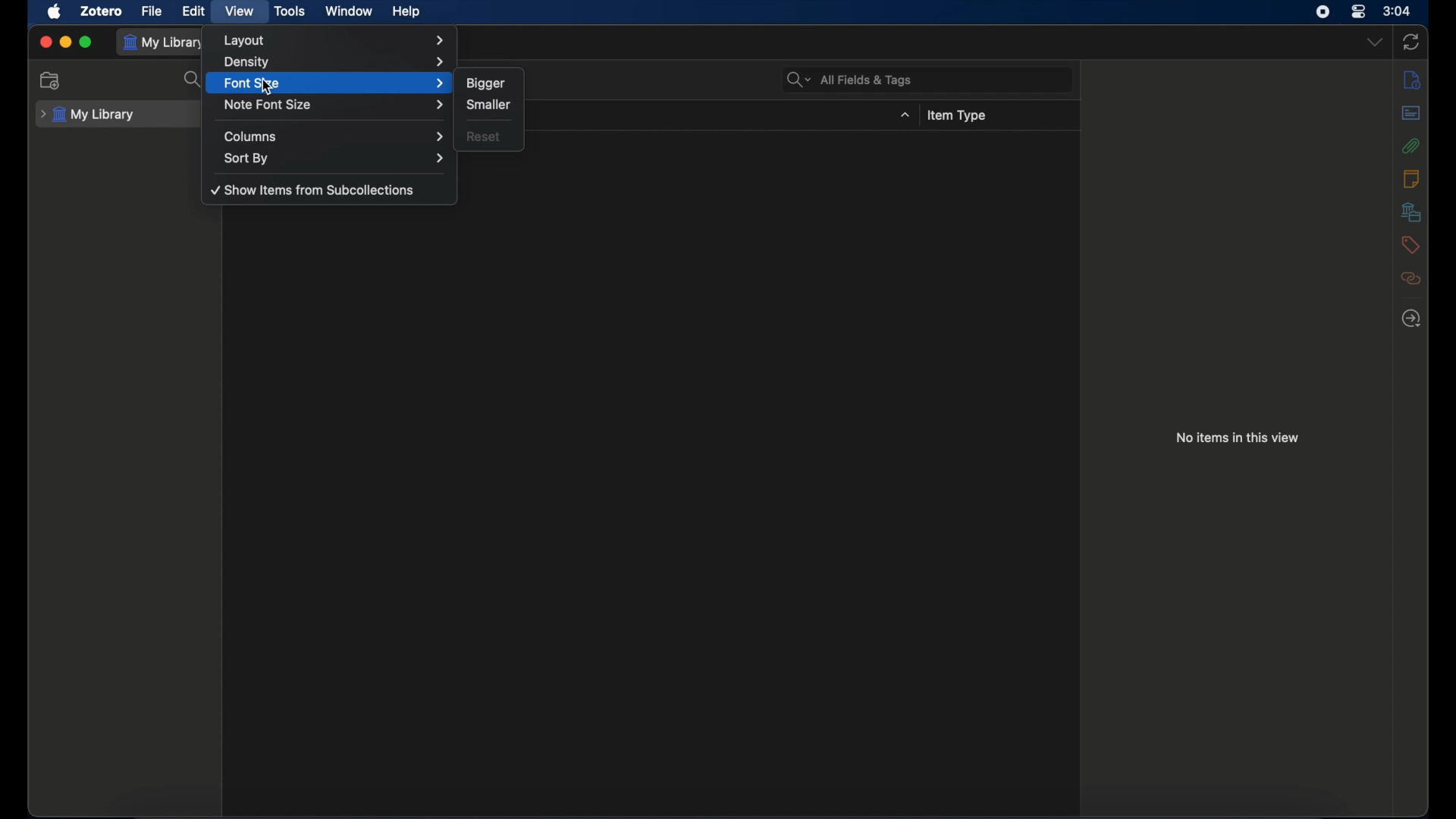  Describe the element at coordinates (1397, 10) in the screenshot. I see `time` at that location.